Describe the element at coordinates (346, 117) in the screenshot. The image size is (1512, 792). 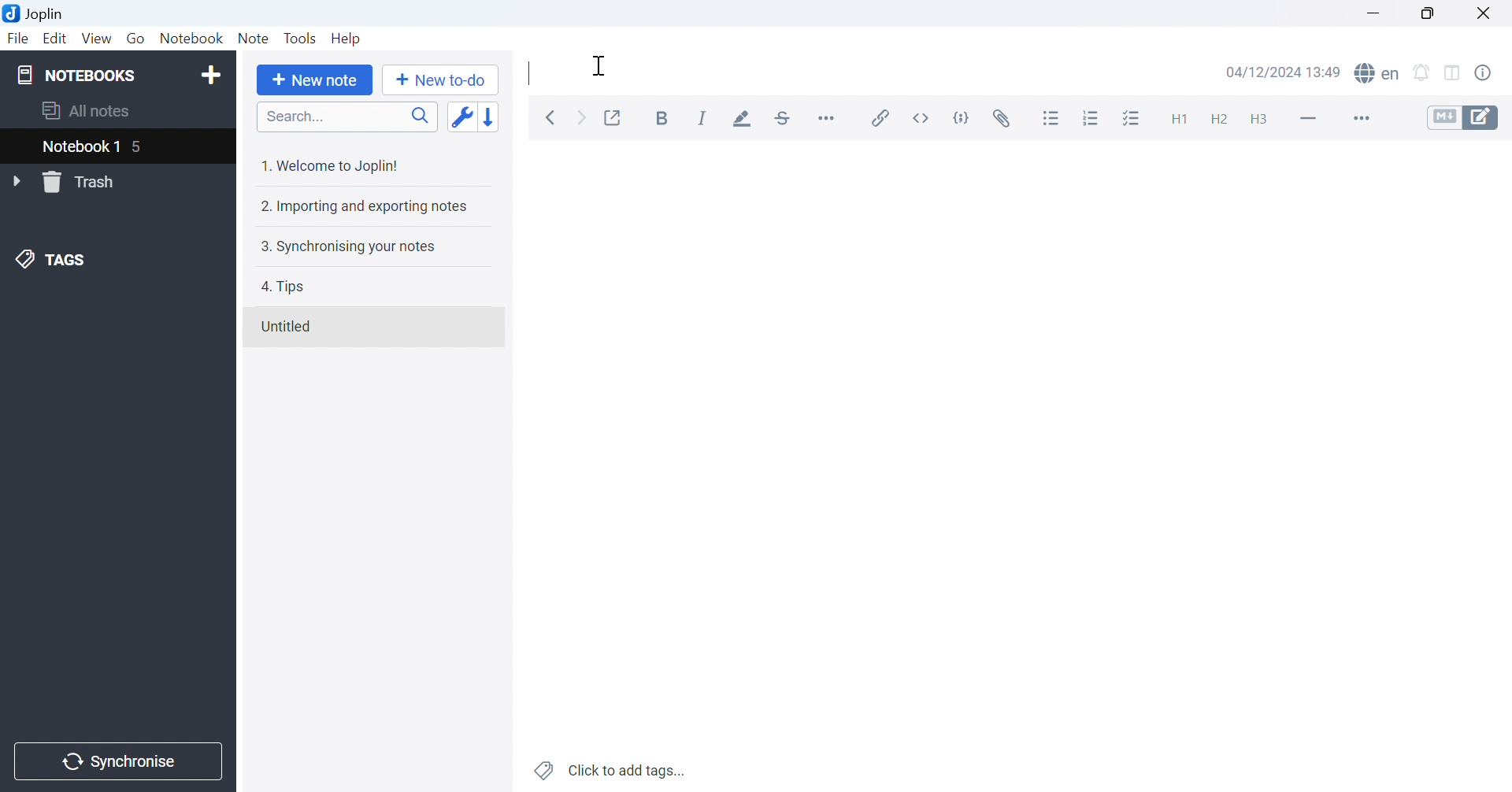
I see `Search` at that location.